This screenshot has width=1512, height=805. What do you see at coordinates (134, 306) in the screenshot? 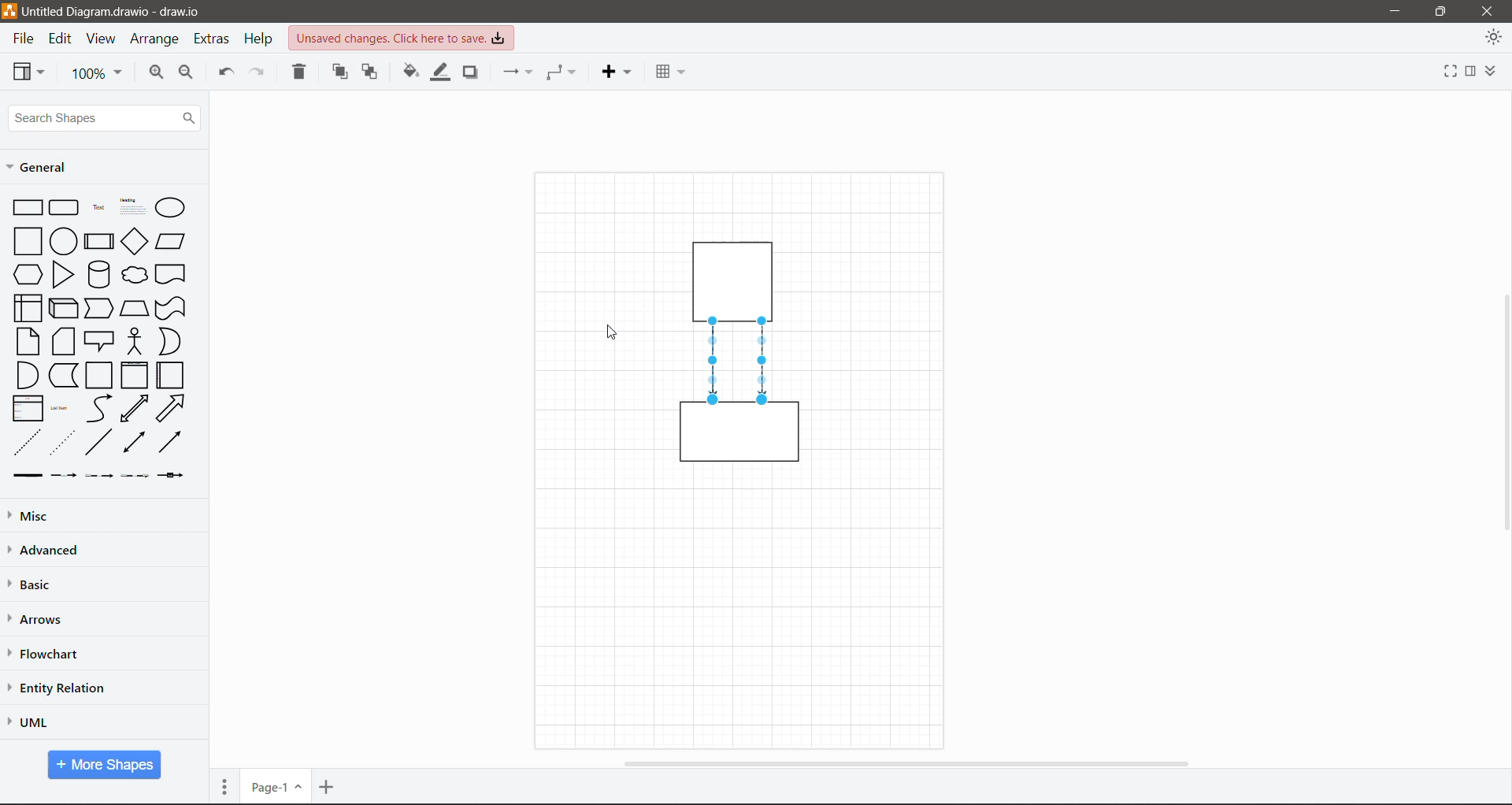
I see `Trapezoid` at bounding box center [134, 306].